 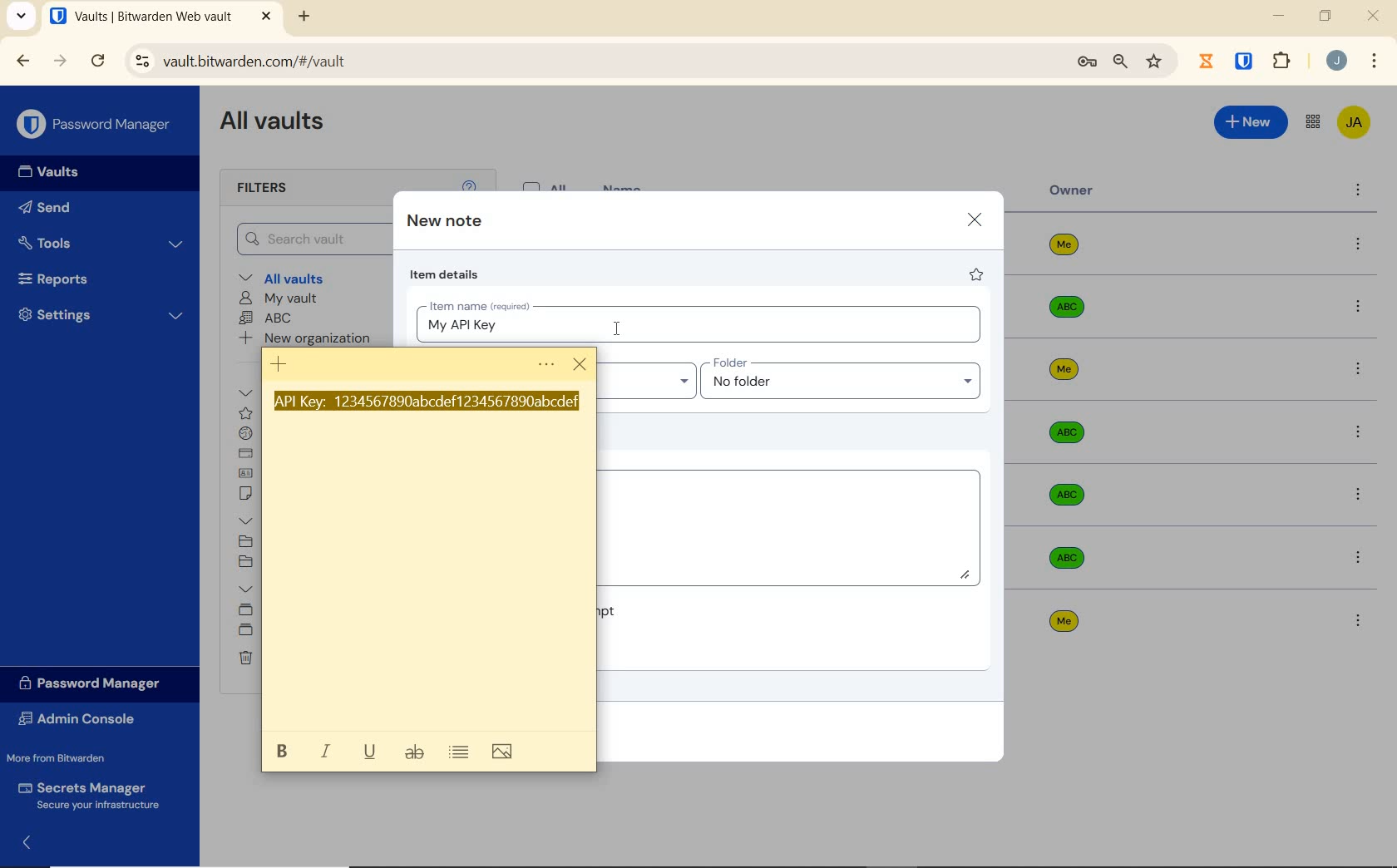 What do you see at coordinates (1353, 121) in the screenshot?
I see `Bitwarden Account` at bounding box center [1353, 121].